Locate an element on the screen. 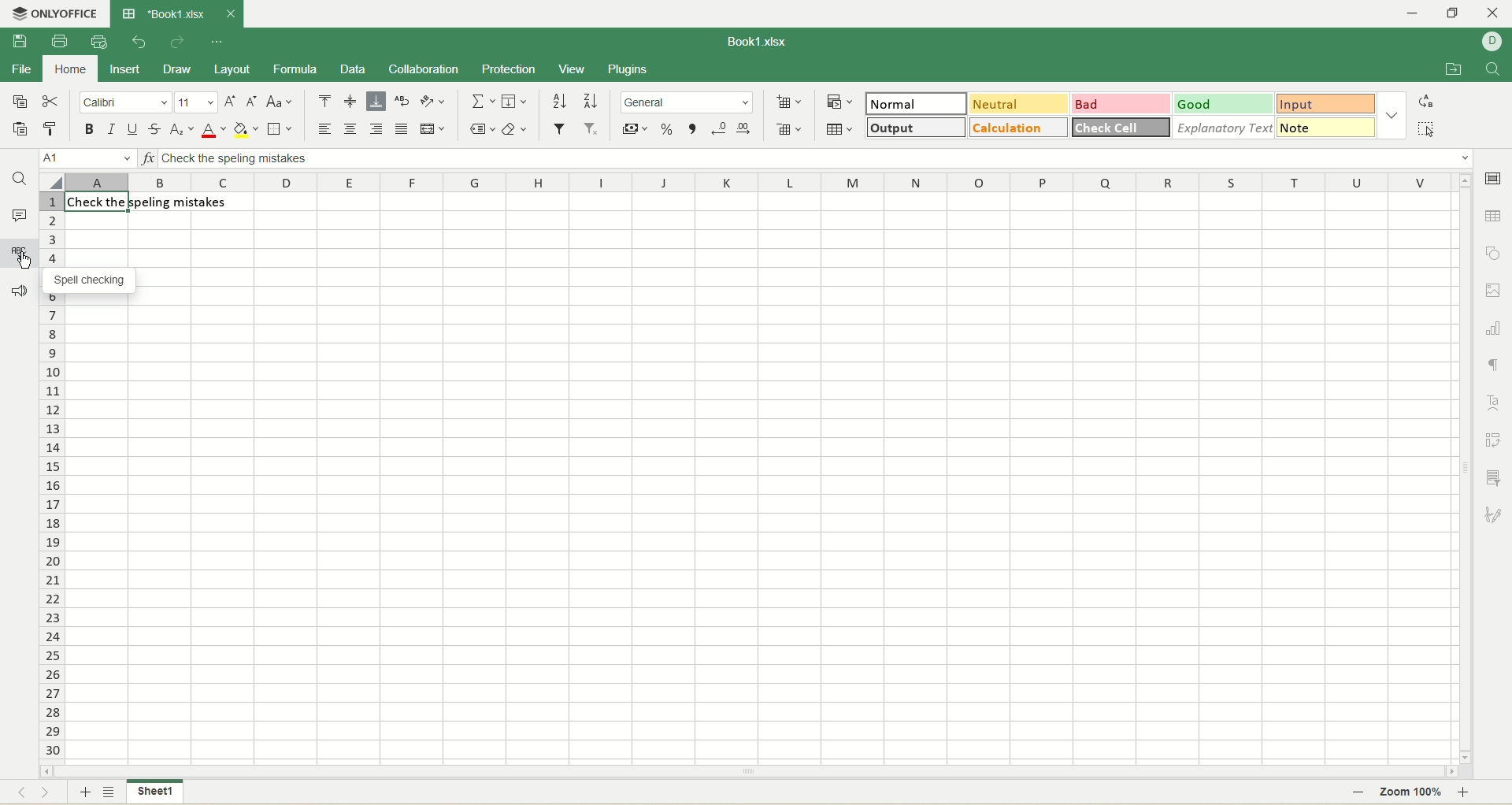 This screenshot has width=1512, height=805. copy is located at coordinates (20, 102).